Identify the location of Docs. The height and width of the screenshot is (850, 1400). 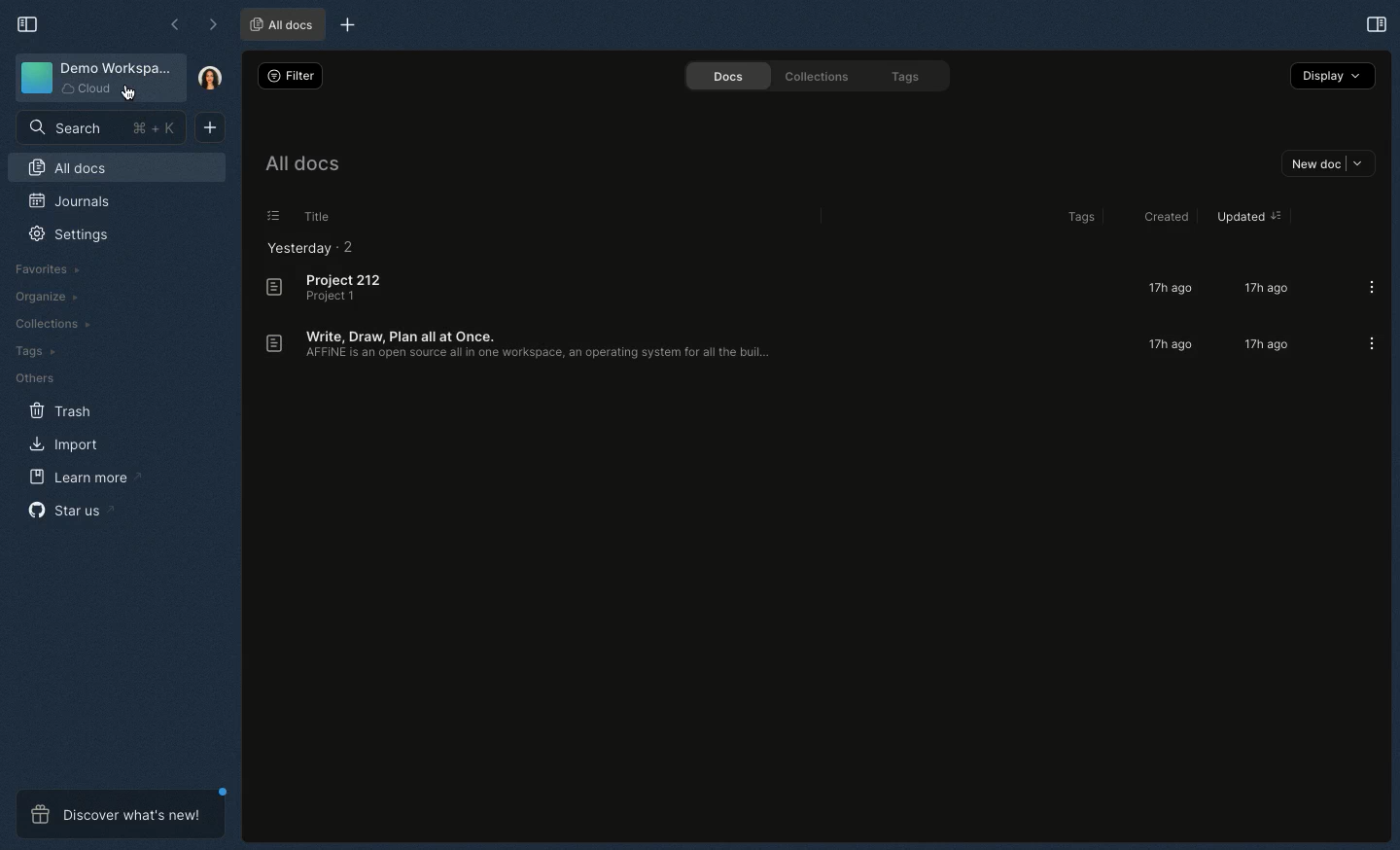
(721, 77).